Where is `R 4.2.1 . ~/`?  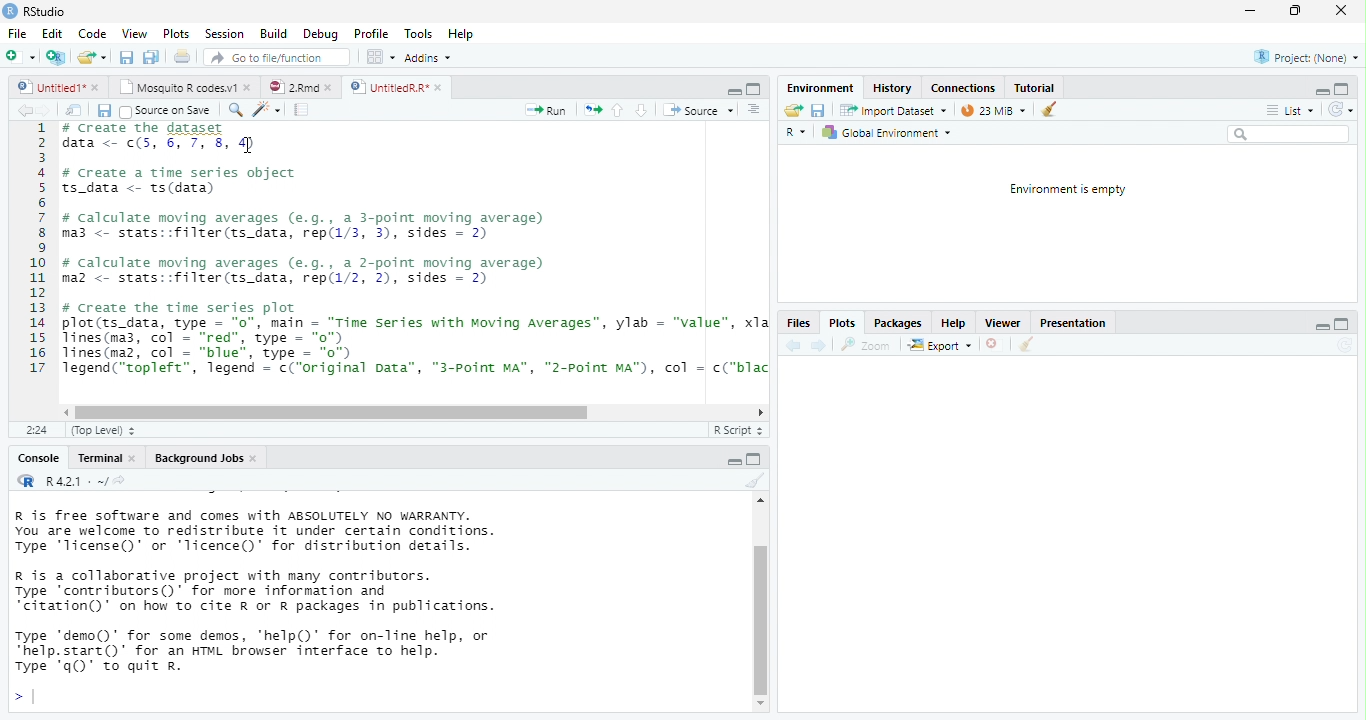
R 4.2.1 . ~/ is located at coordinates (74, 480).